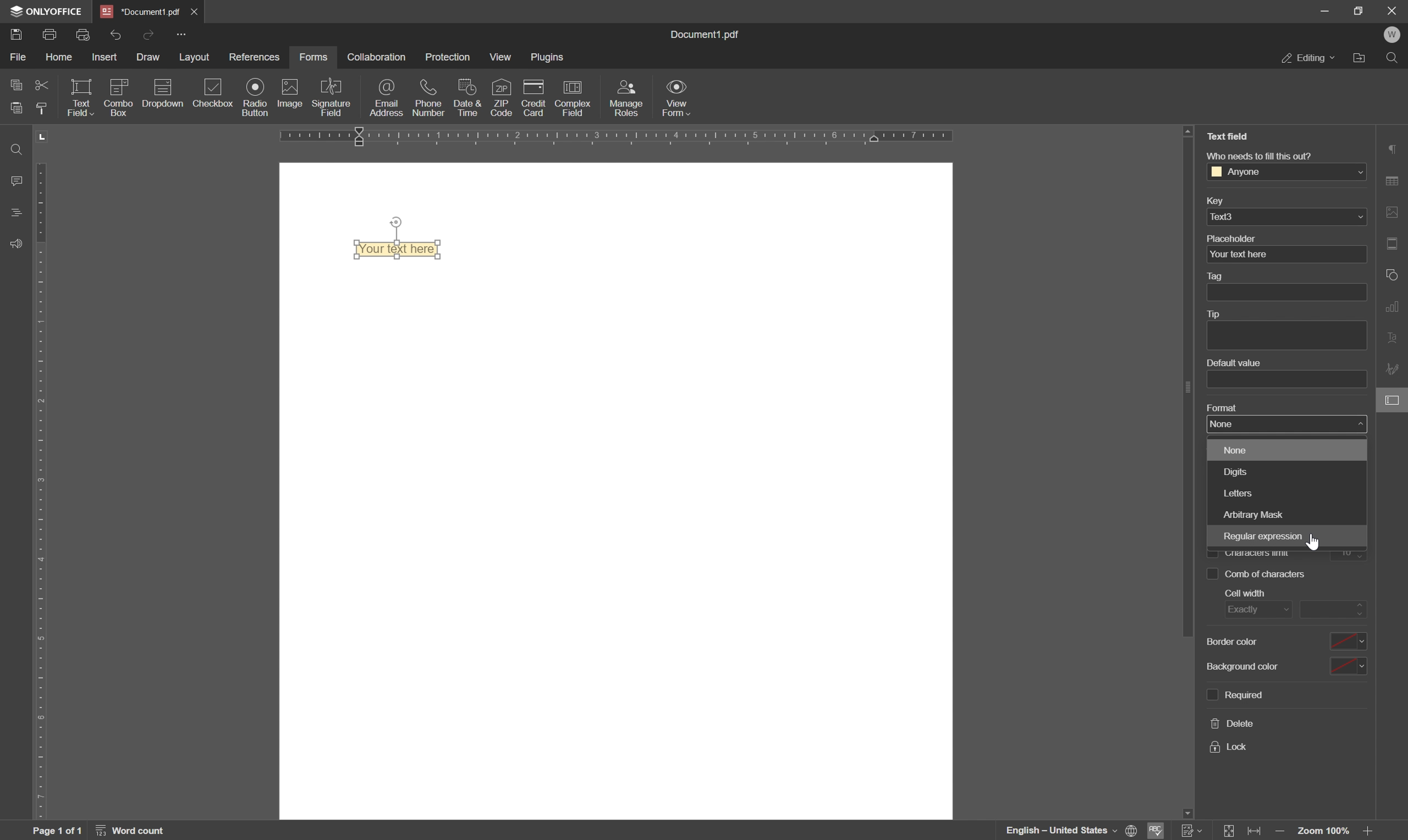 This screenshot has width=1408, height=840. What do you see at coordinates (1394, 148) in the screenshot?
I see `paragraph settings` at bounding box center [1394, 148].